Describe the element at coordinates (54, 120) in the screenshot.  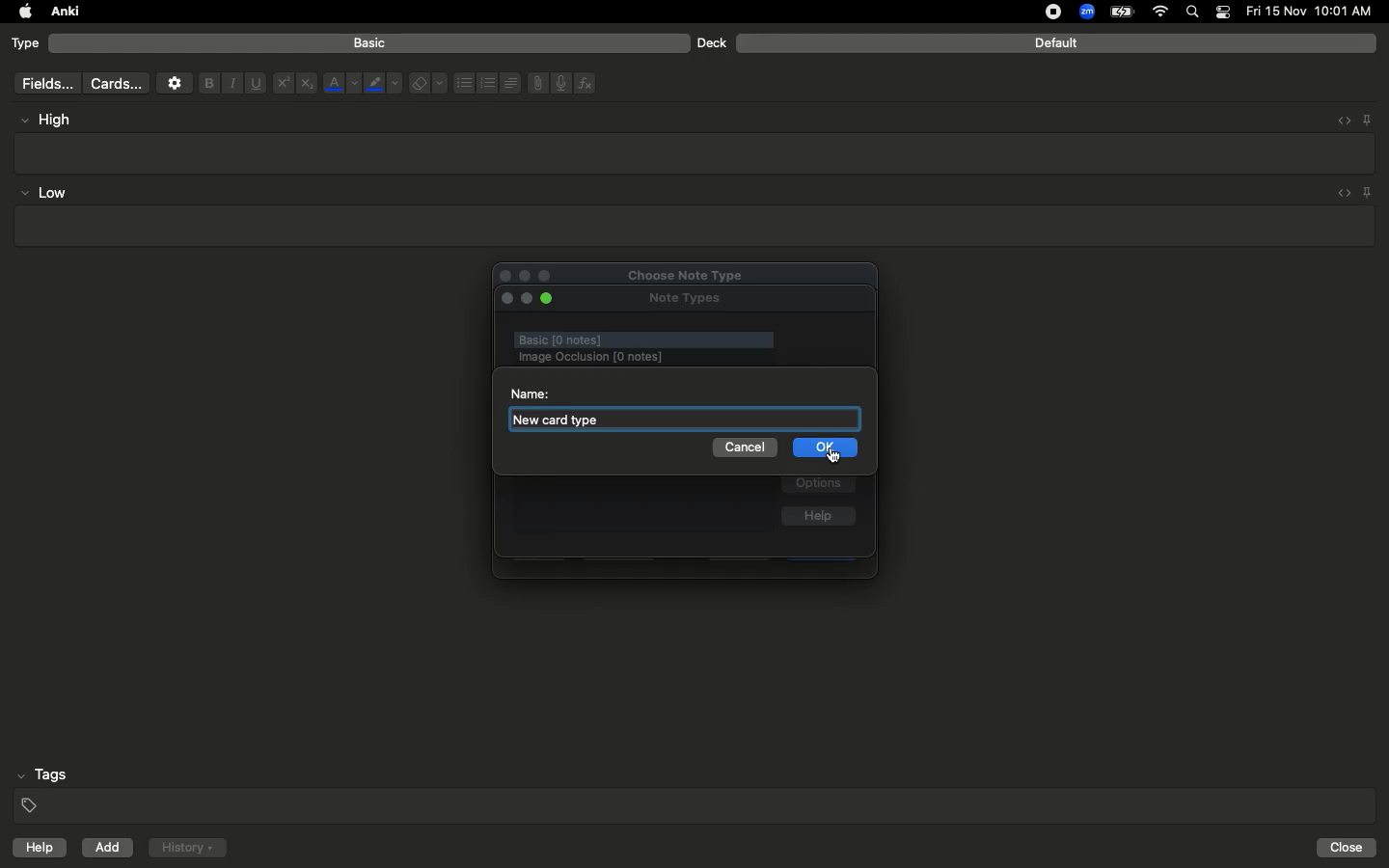
I see `High` at that location.